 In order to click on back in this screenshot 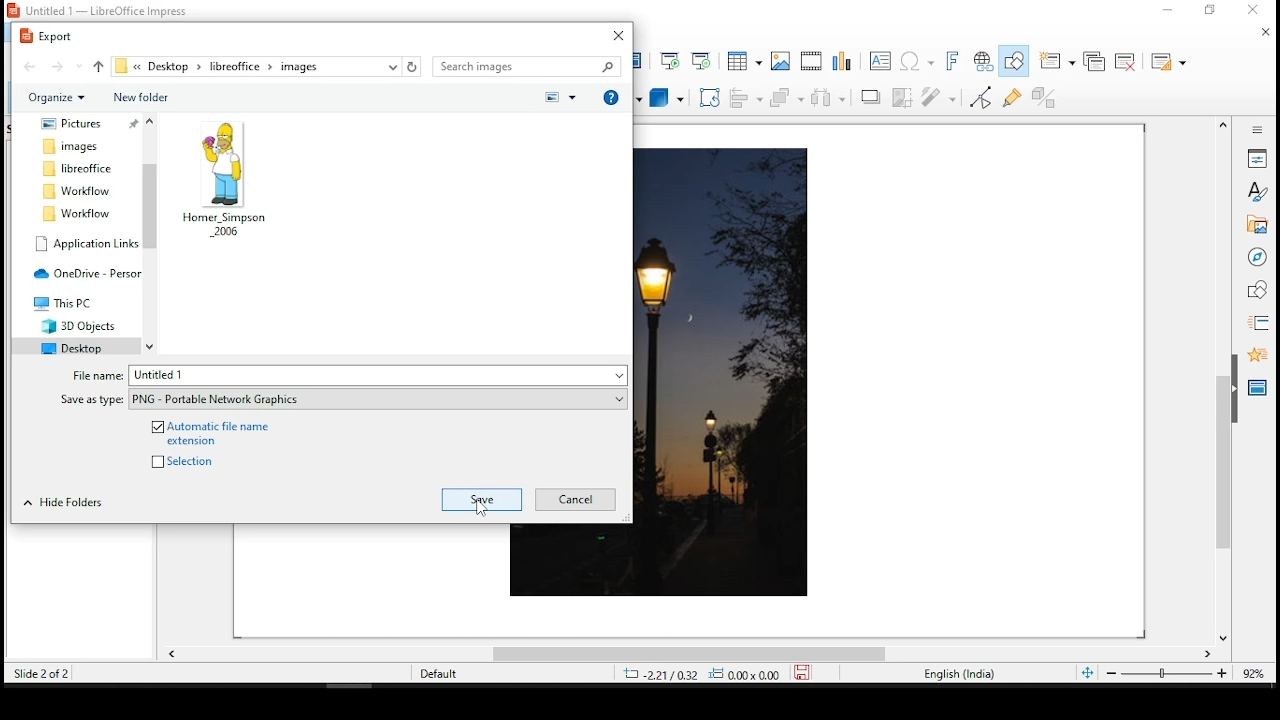, I will do `click(31, 66)`.